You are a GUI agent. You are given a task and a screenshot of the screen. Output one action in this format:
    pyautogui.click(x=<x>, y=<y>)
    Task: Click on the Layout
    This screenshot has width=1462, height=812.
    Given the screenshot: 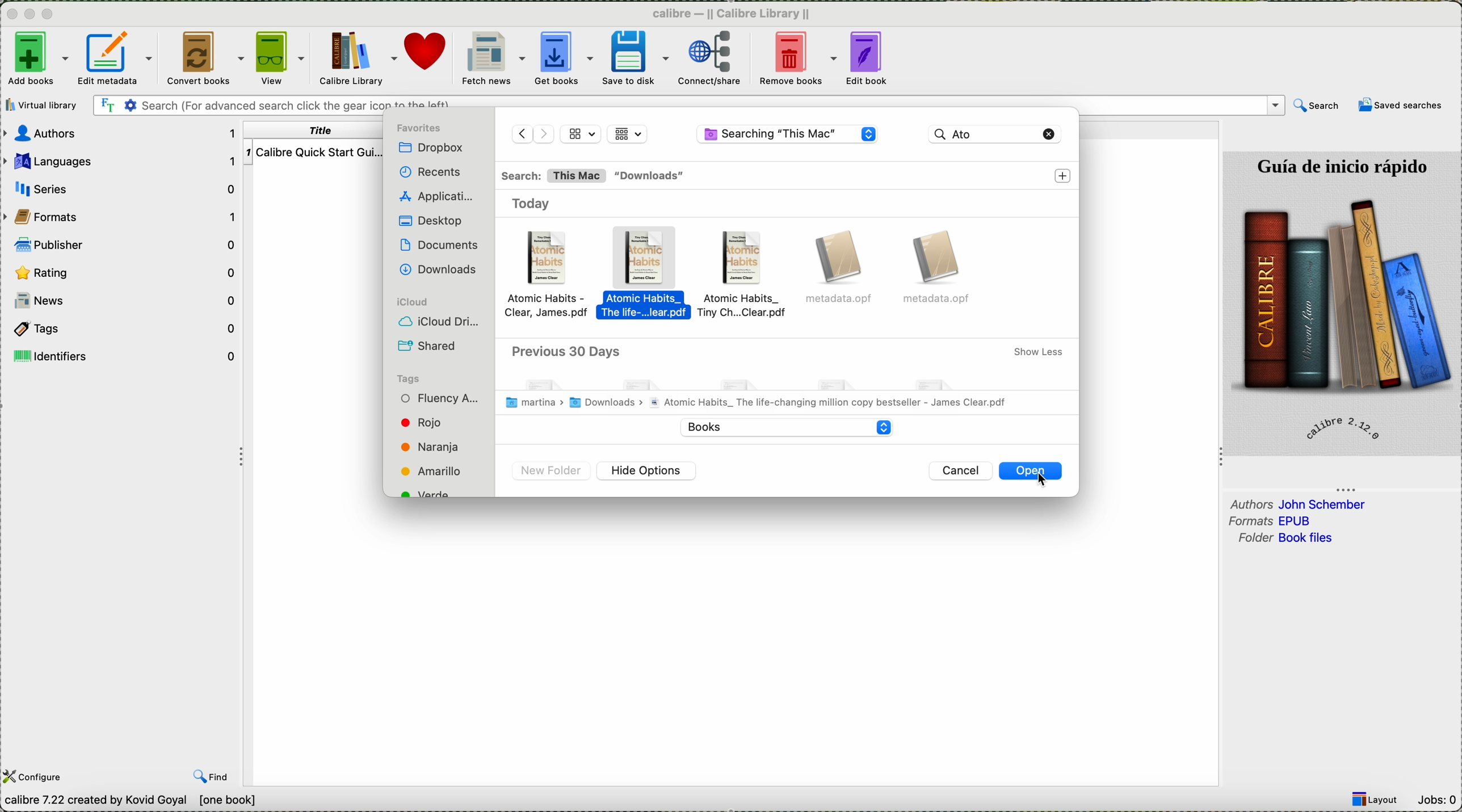 What is the action you would take?
    pyautogui.click(x=1376, y=800)
    